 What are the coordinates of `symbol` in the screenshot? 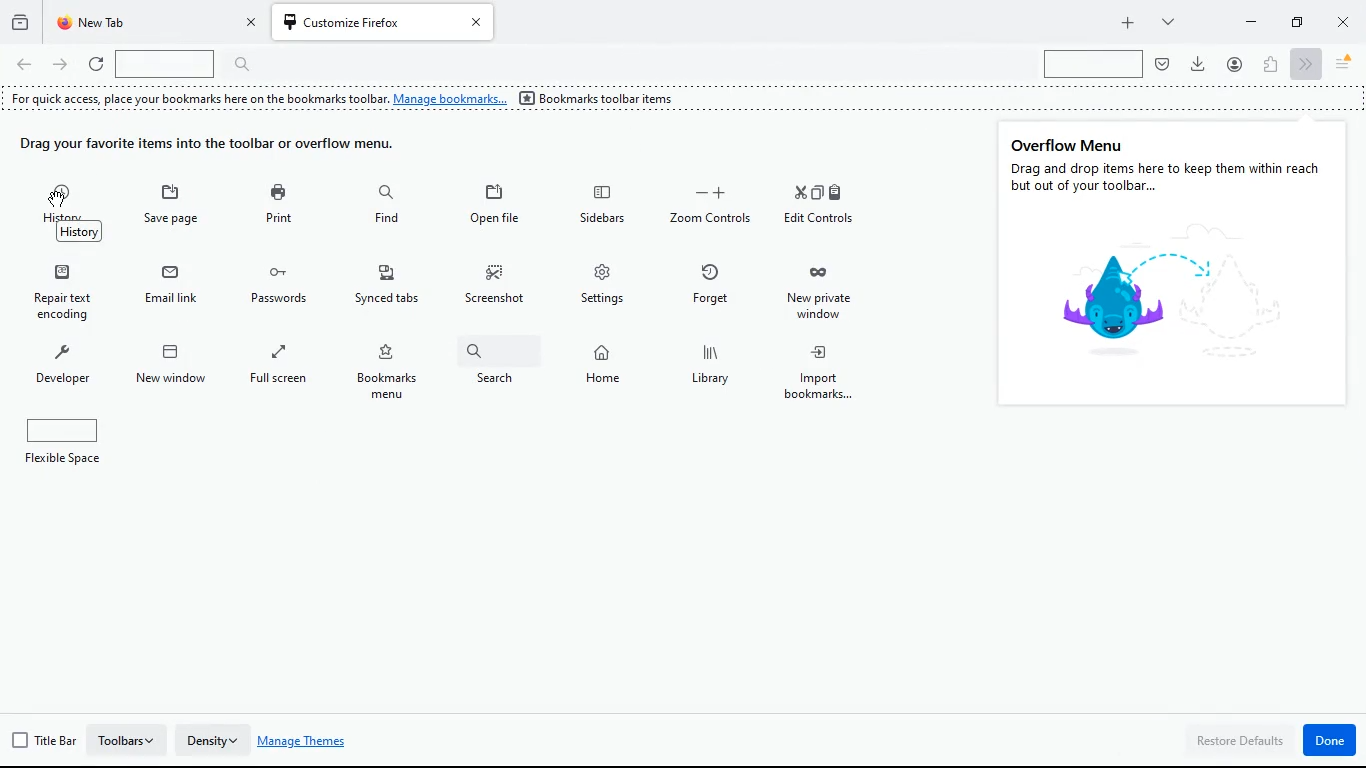 It's located at (1145, 295).